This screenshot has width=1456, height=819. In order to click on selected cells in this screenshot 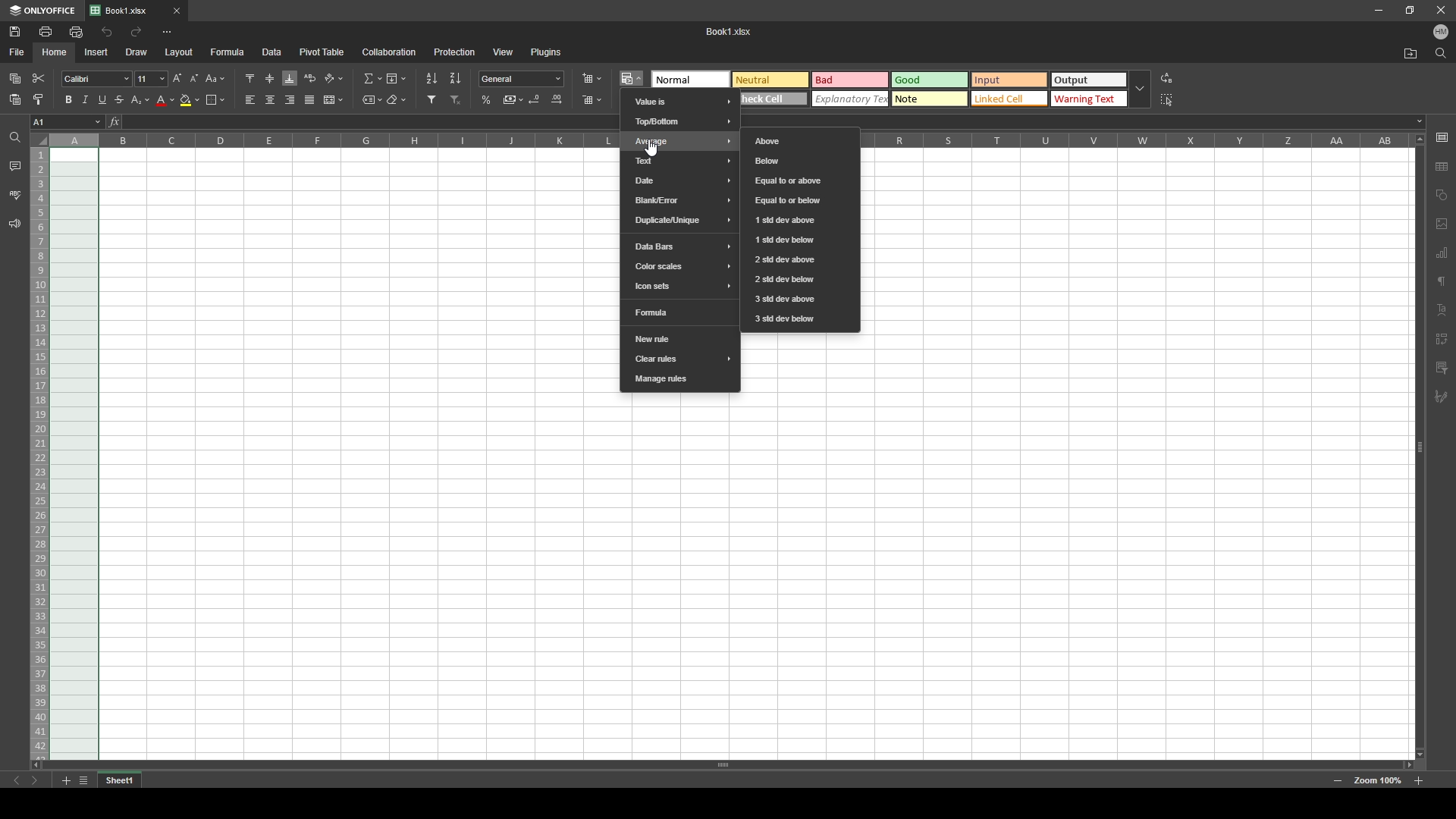, I will do `click(74, 454)`.